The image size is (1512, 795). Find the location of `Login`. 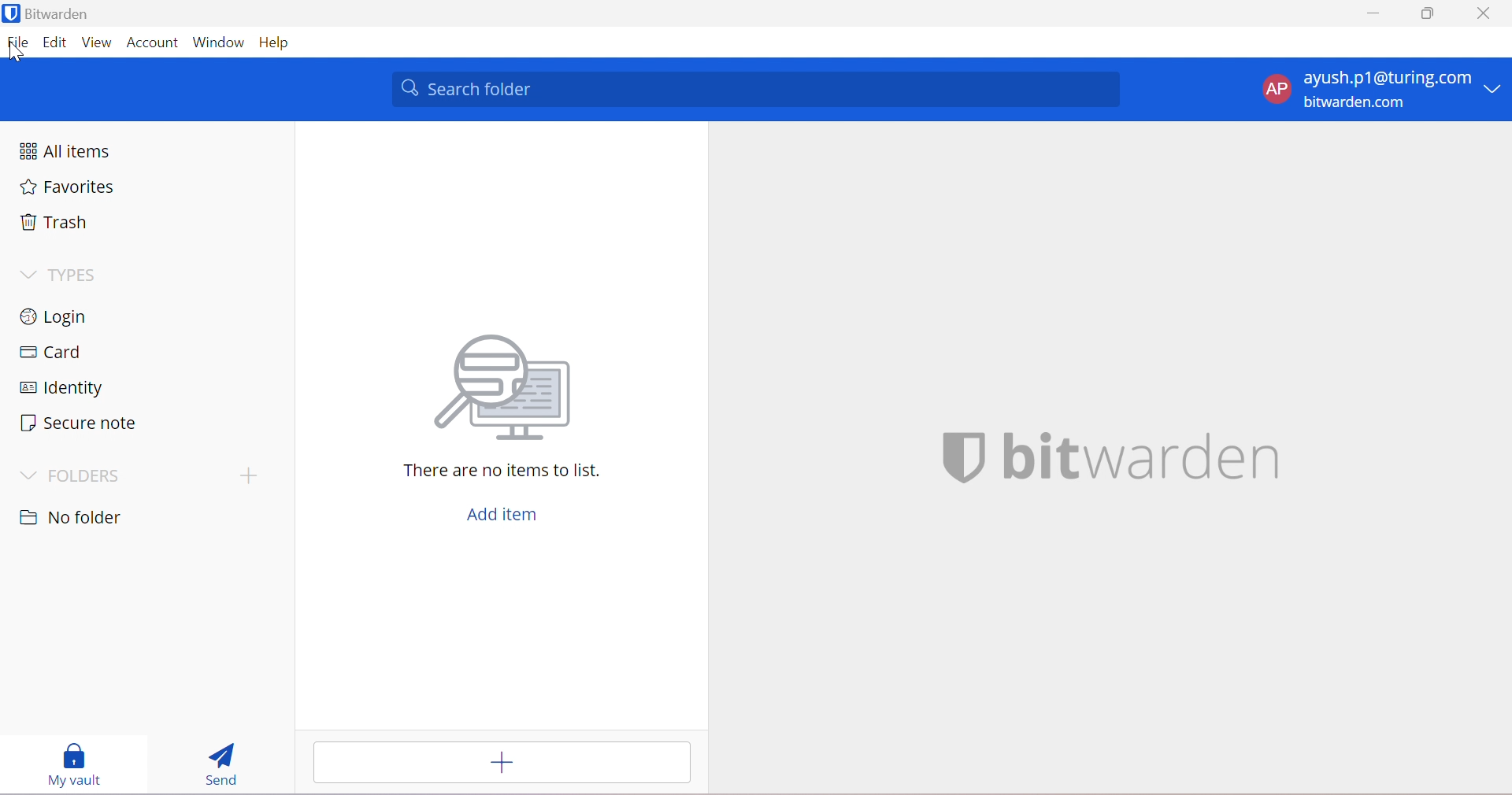

Login is located at coordinates (57, 315).